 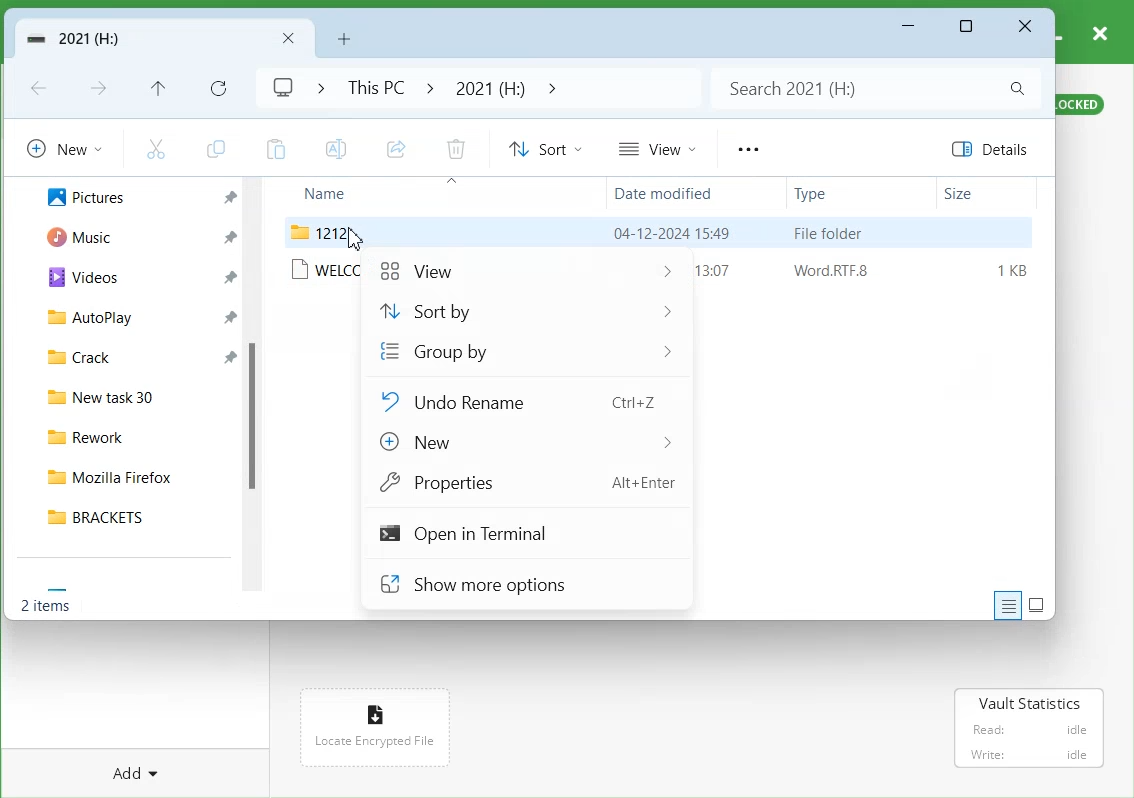 What do you see at coordinates (64, 147) in the screenshot?
I see `New` at bounding box center [64, 147].